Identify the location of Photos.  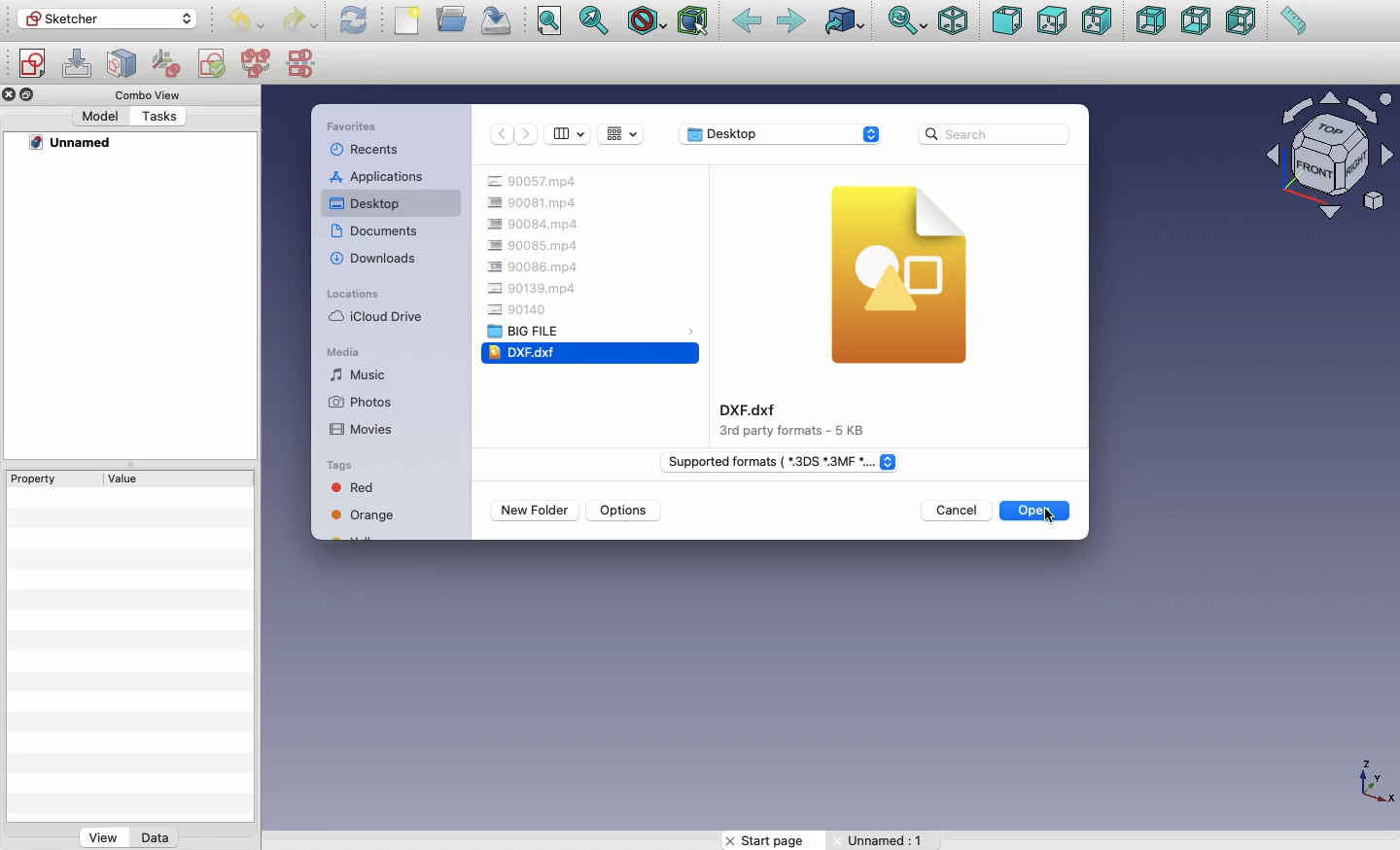
(361, 401).